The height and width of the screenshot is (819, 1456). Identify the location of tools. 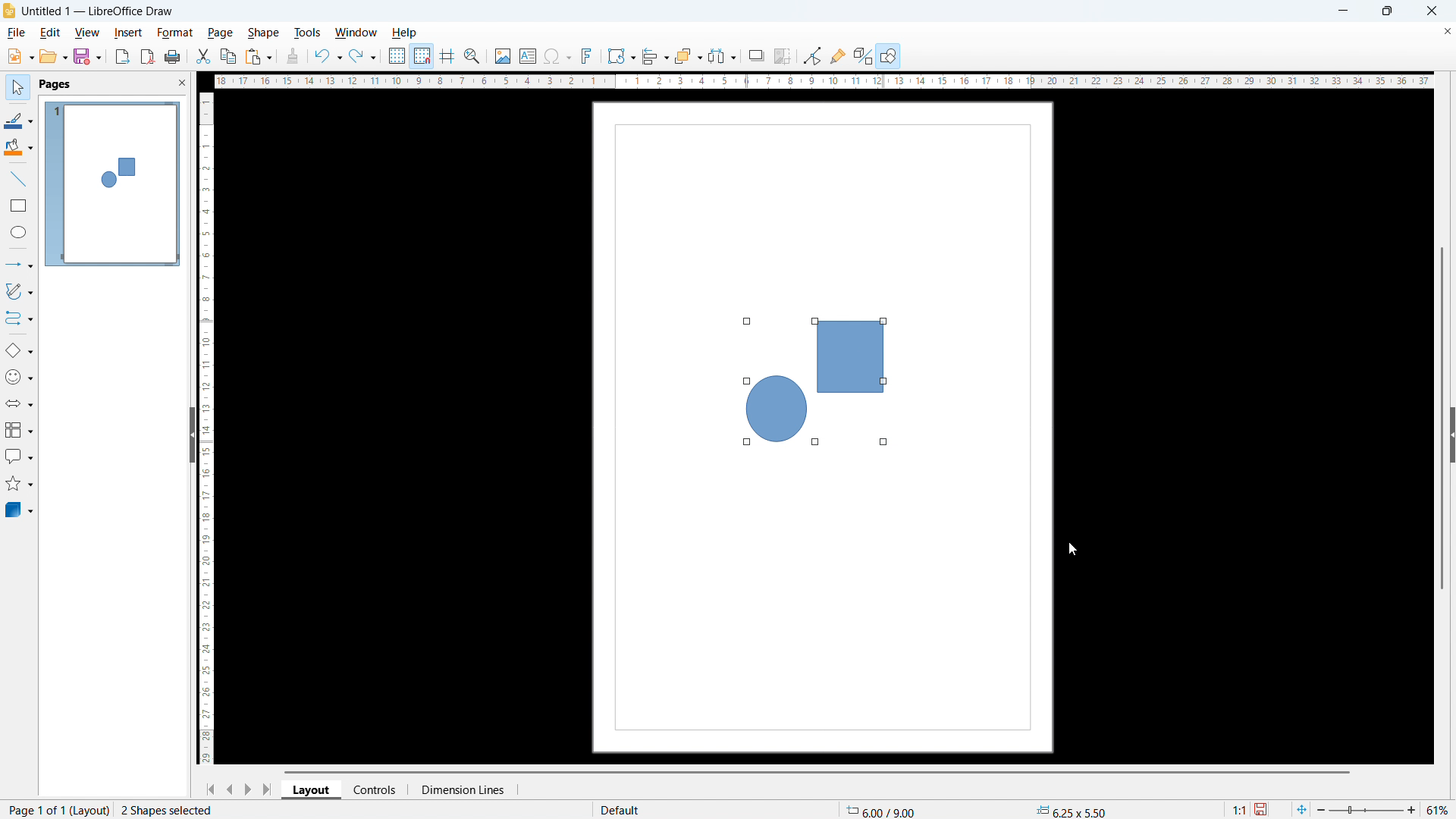
(308, 32).